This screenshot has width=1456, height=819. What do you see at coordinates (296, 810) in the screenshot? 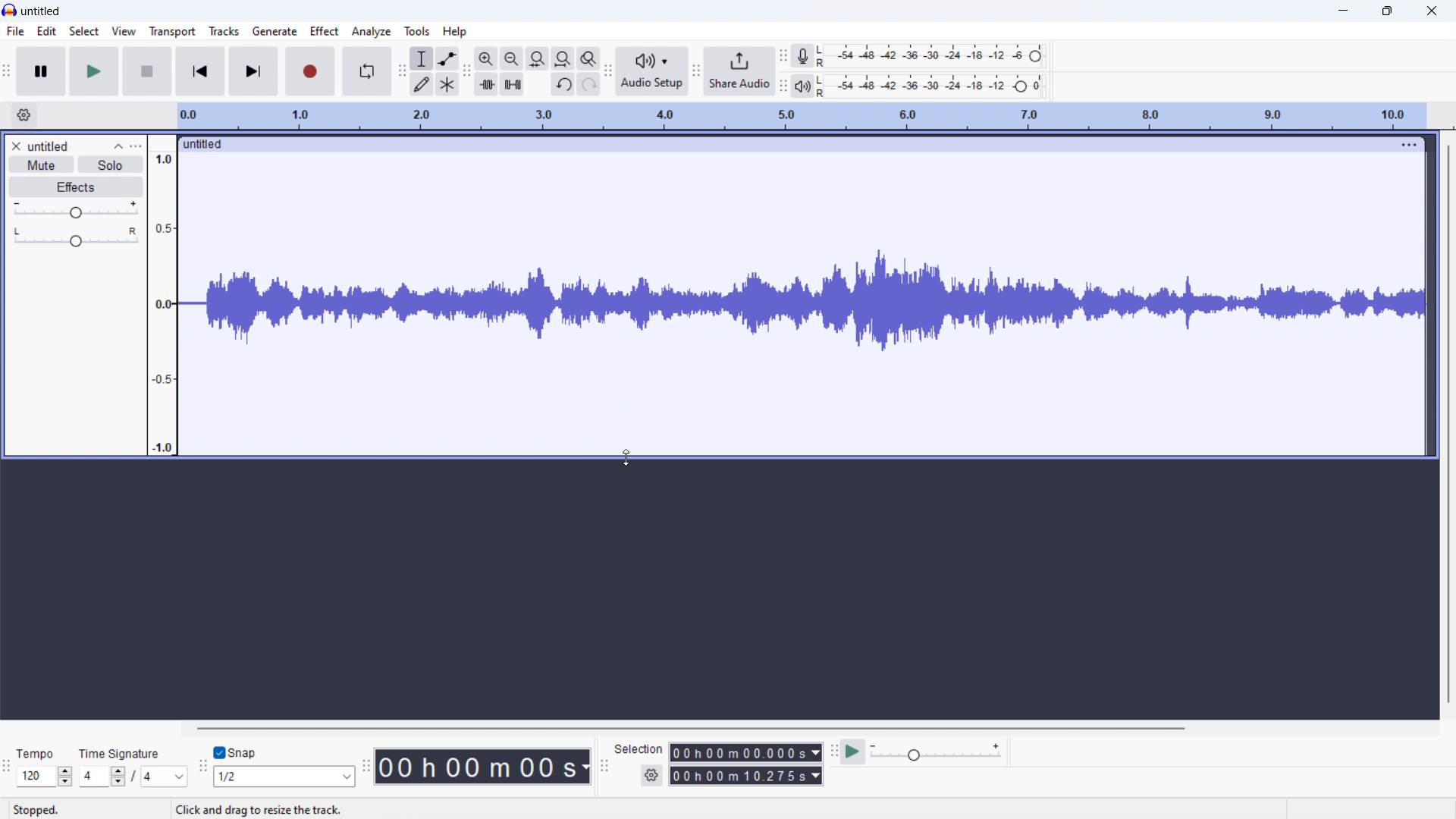
I see `Click and drag to resize the track` at bounding box center [296, 810].